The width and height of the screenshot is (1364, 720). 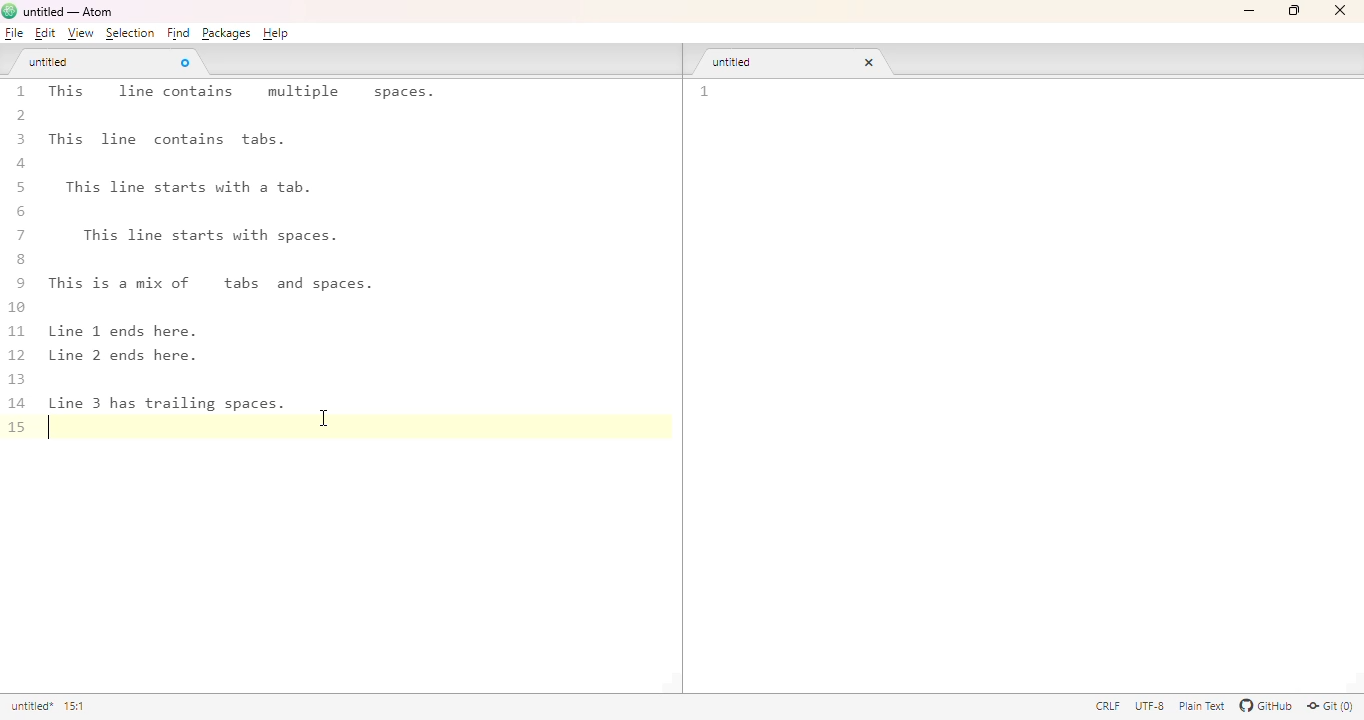 What do you see at coordinates (1296, 9) in the screenshot?
I see `maximize` at bounding box center [1296, 9].